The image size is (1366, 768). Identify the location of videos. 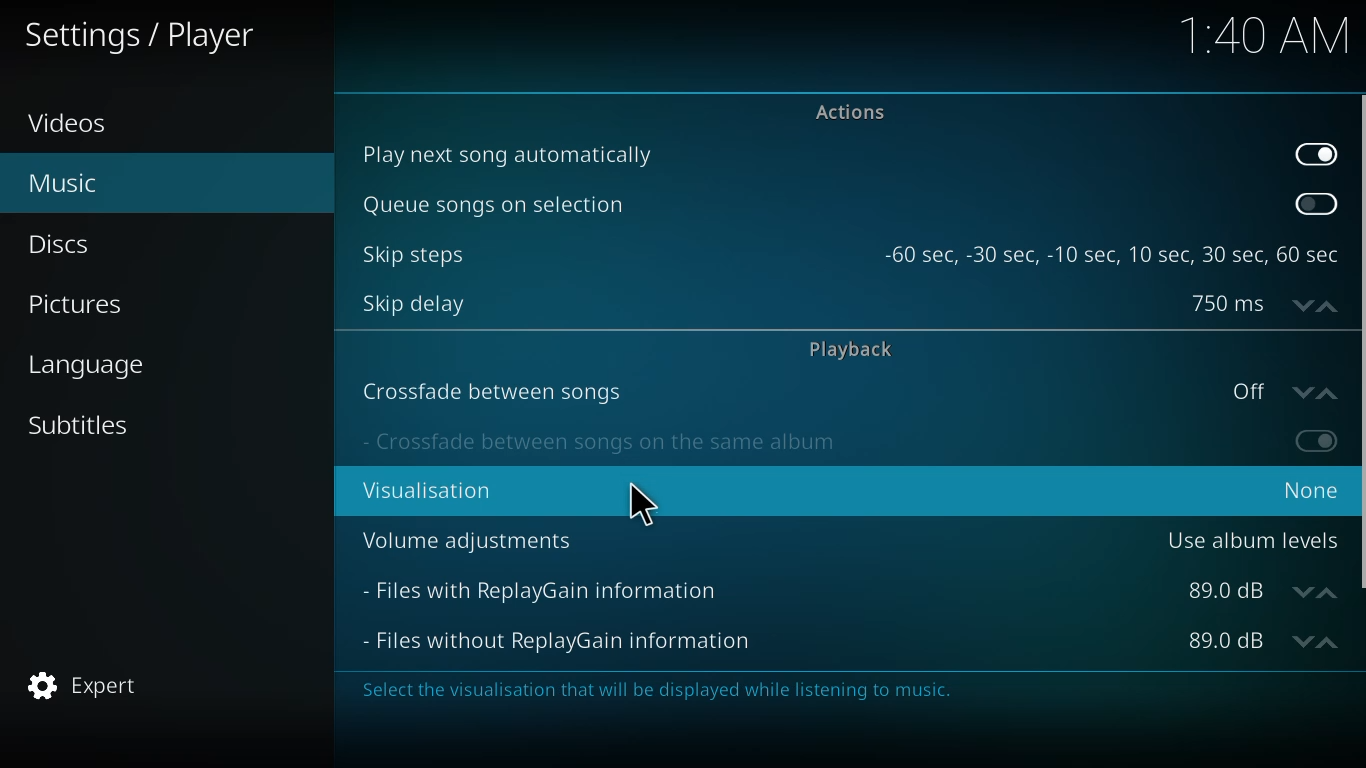
(75, 122).